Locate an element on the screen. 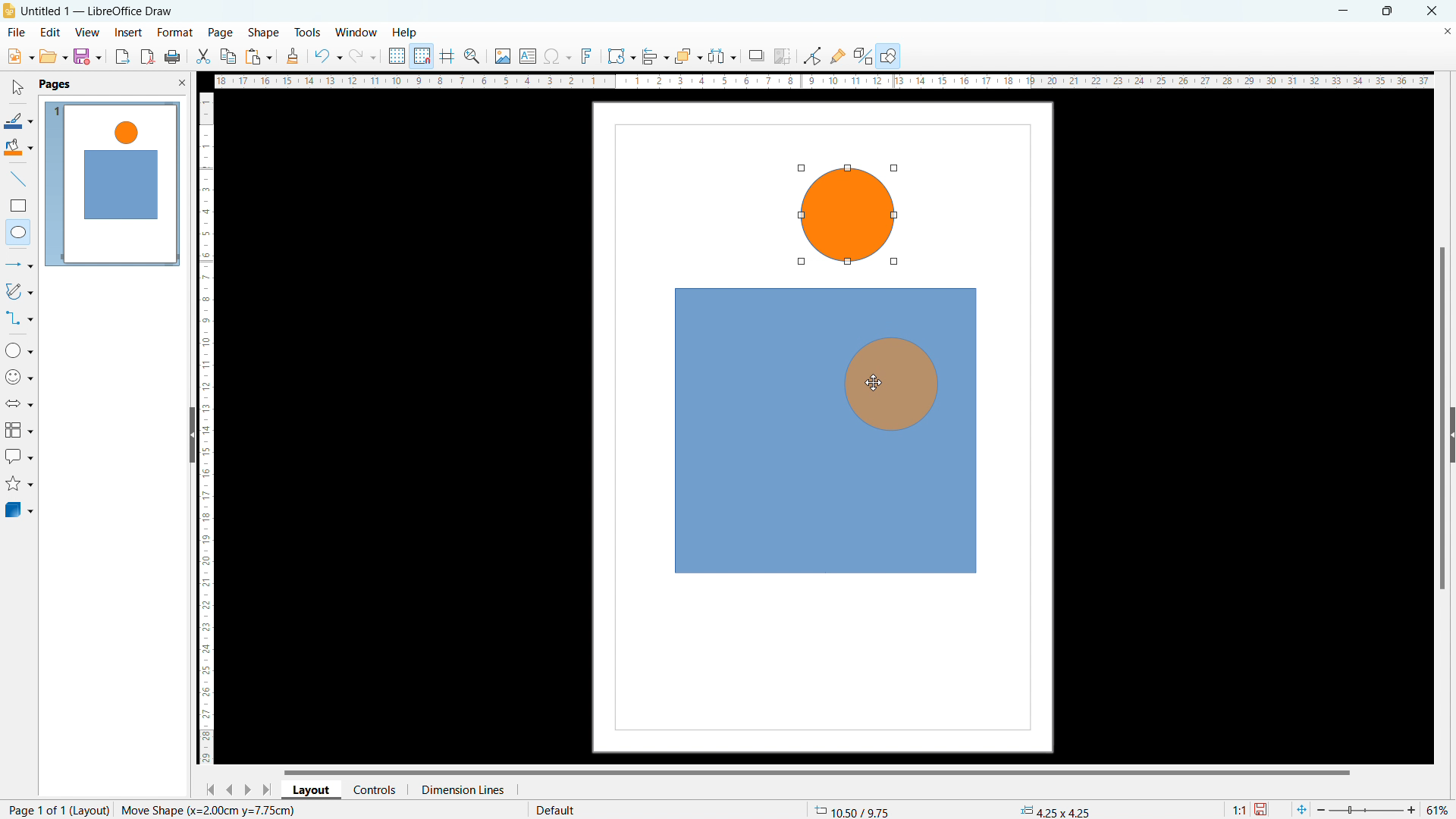 This screenshot has width=1456, height=819. page is located at coordinates (221, 32).